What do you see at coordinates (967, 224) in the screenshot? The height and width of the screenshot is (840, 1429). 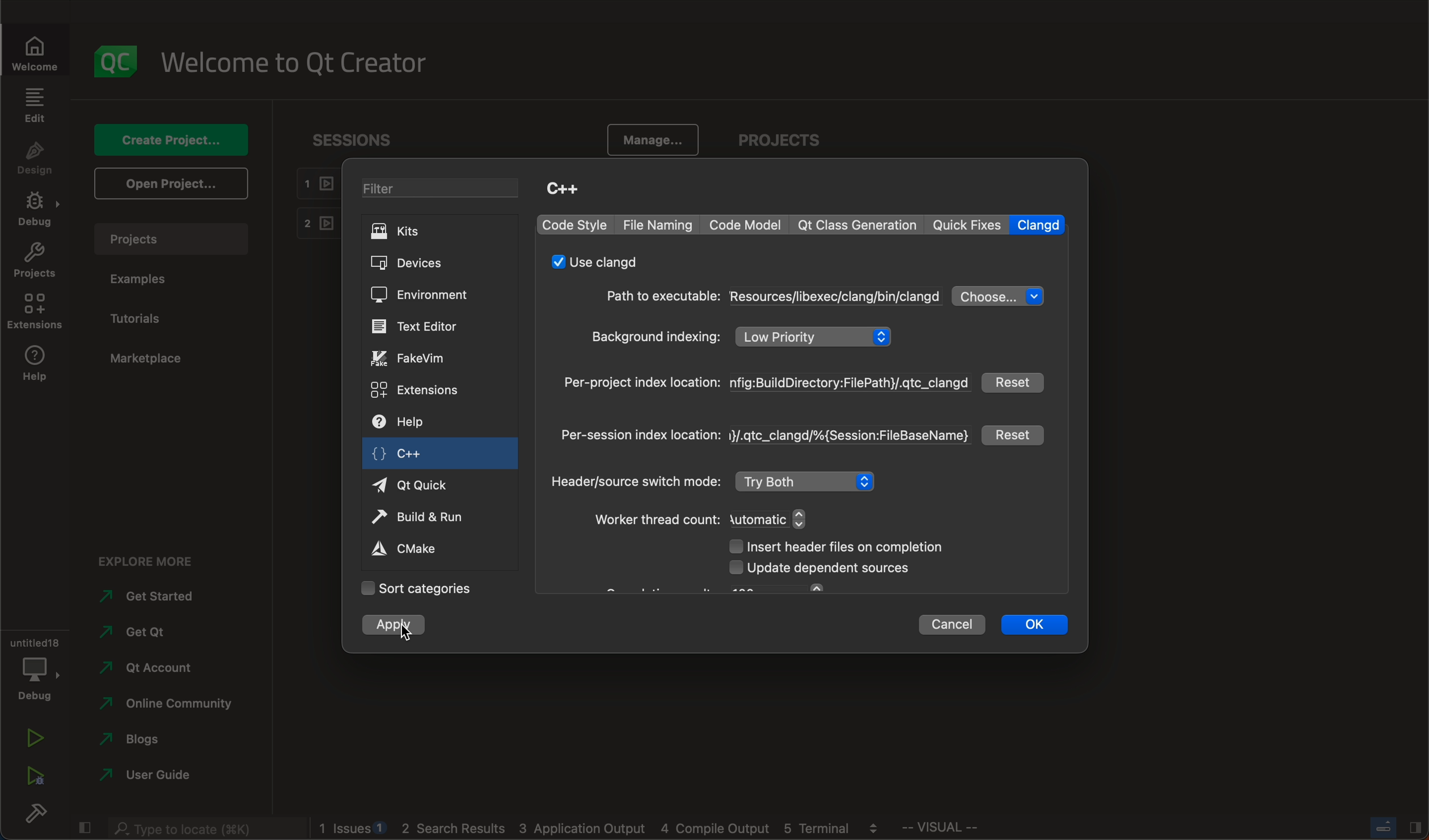 I see `quick fixes` at bounding box center [967, 224].